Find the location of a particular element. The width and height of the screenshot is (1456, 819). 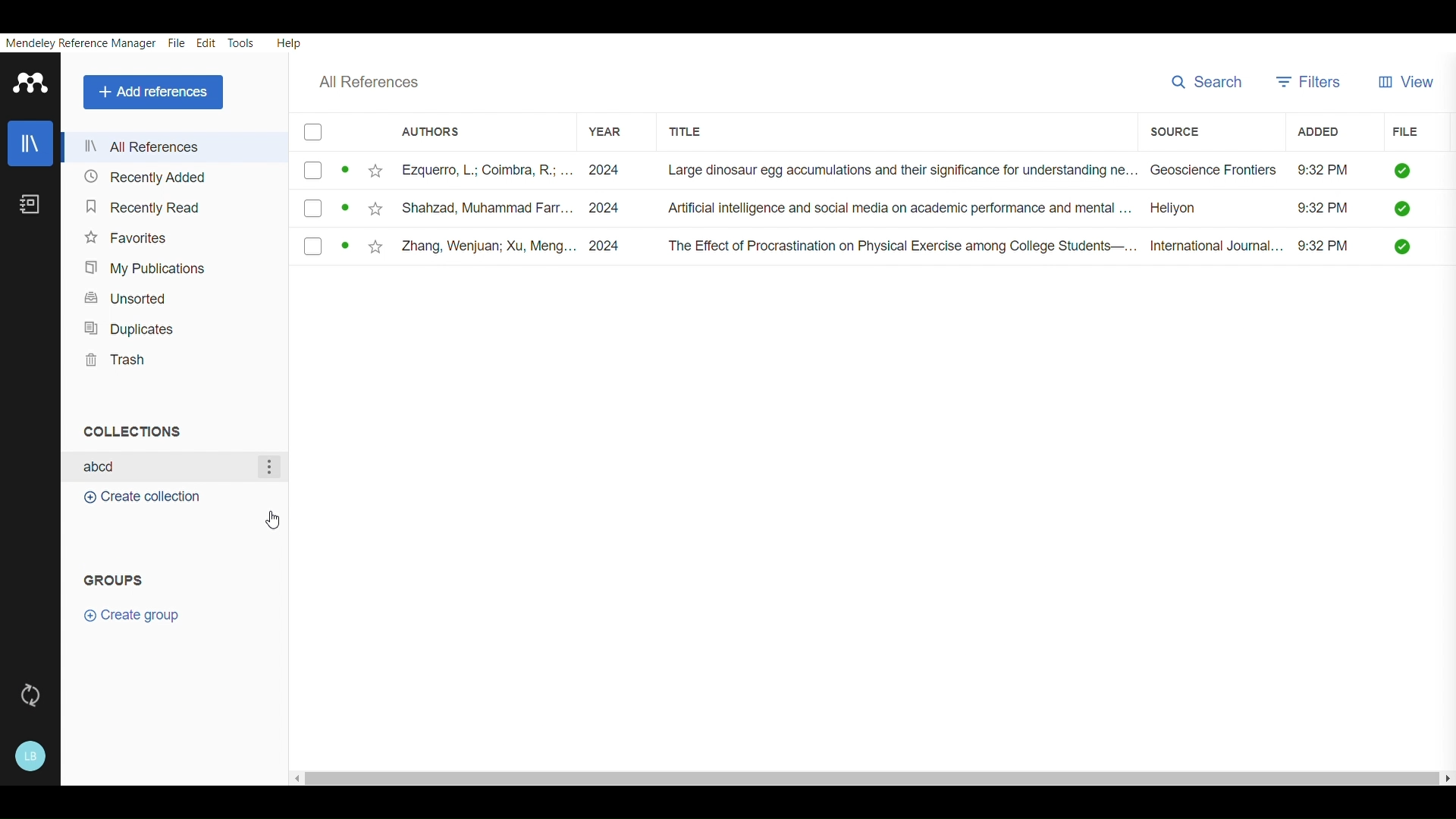

TITLE is located at coordinates (699, 129).